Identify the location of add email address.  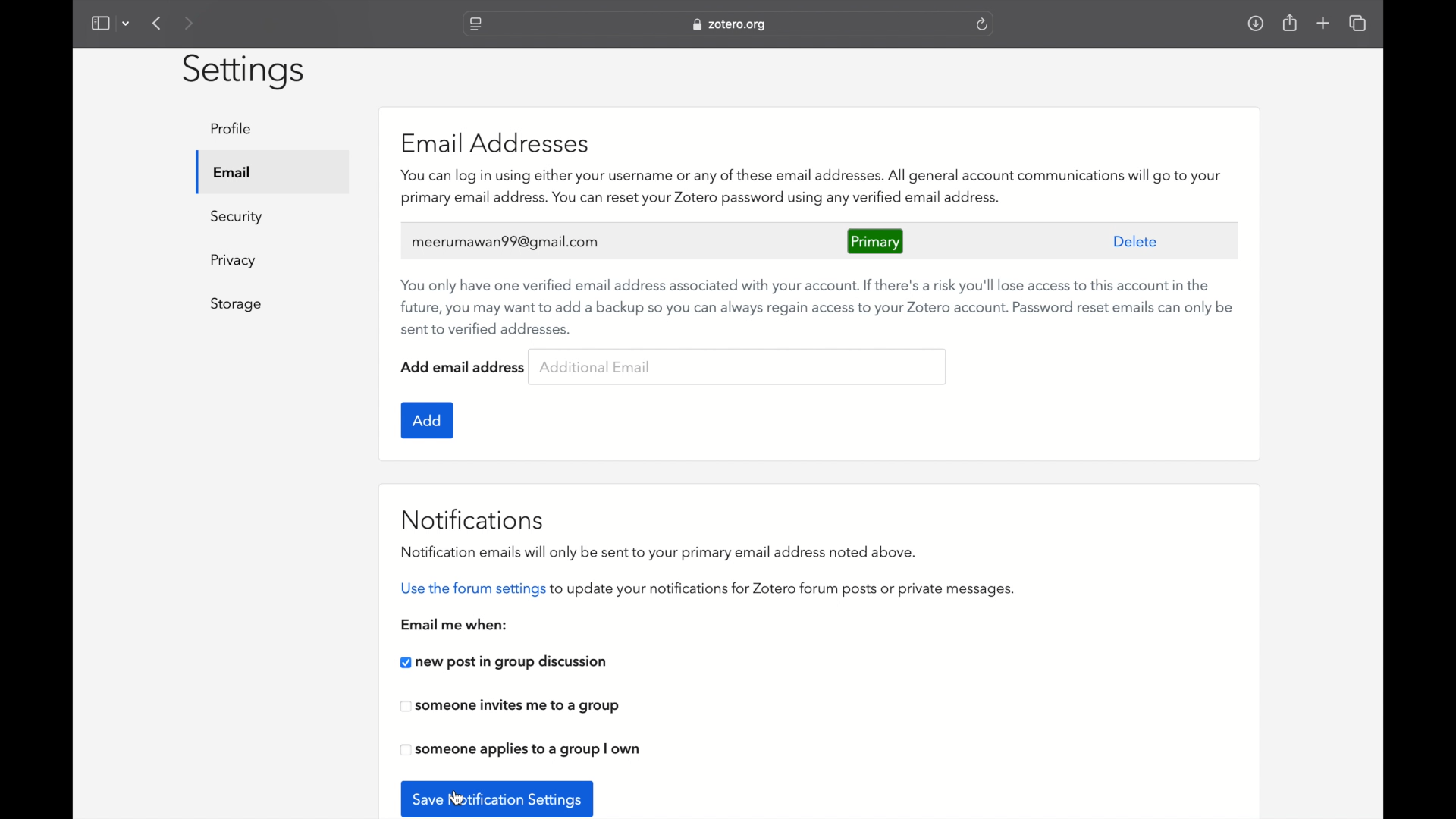
(463, 367).